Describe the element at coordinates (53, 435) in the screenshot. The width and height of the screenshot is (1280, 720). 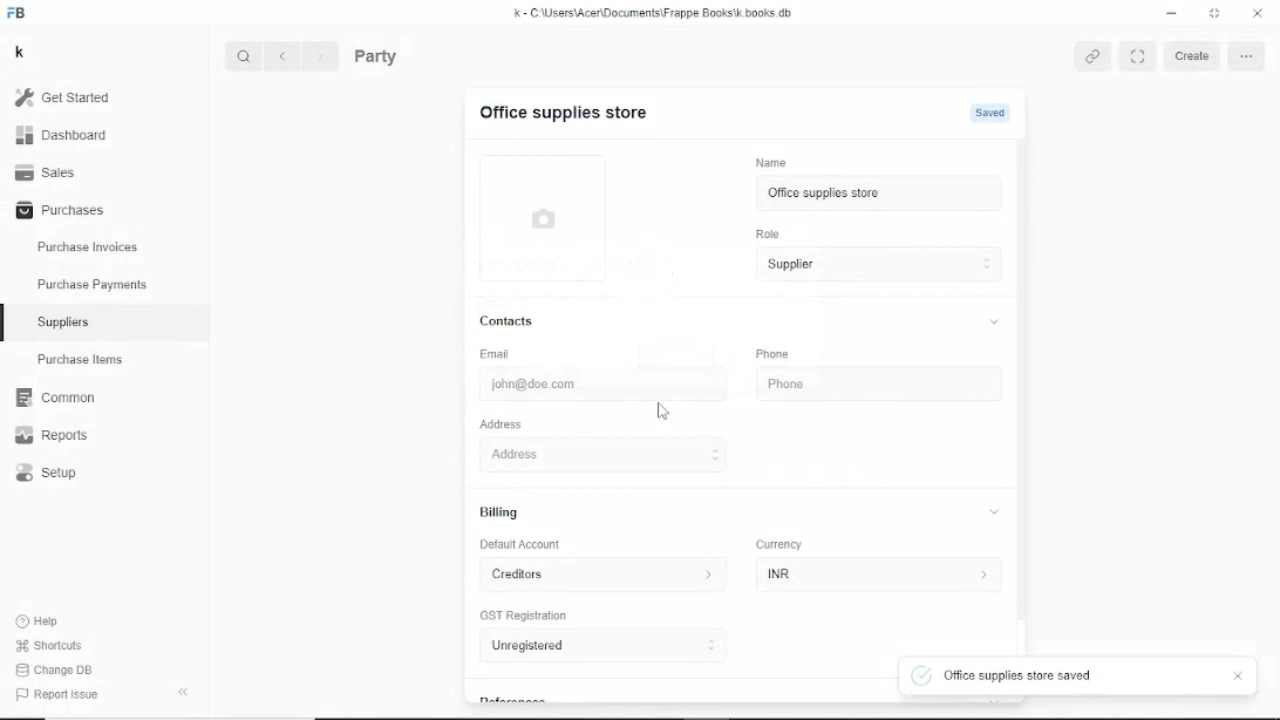
I see `Reports` at that location.